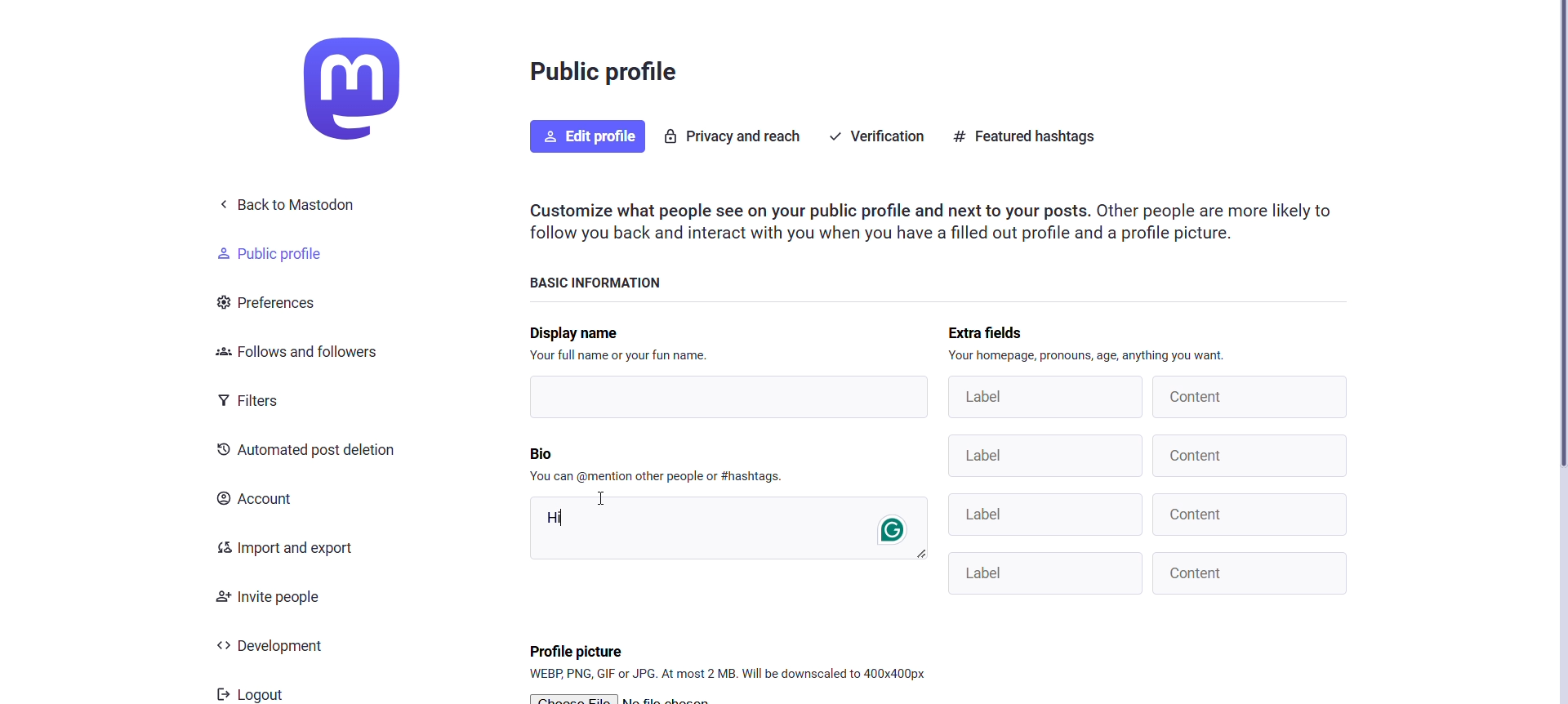 This screenshot has width=1568, height=704. What do you see at coordinates (719, 398) in the screenshot?
I see `text box` at bounding box center [719, 398].